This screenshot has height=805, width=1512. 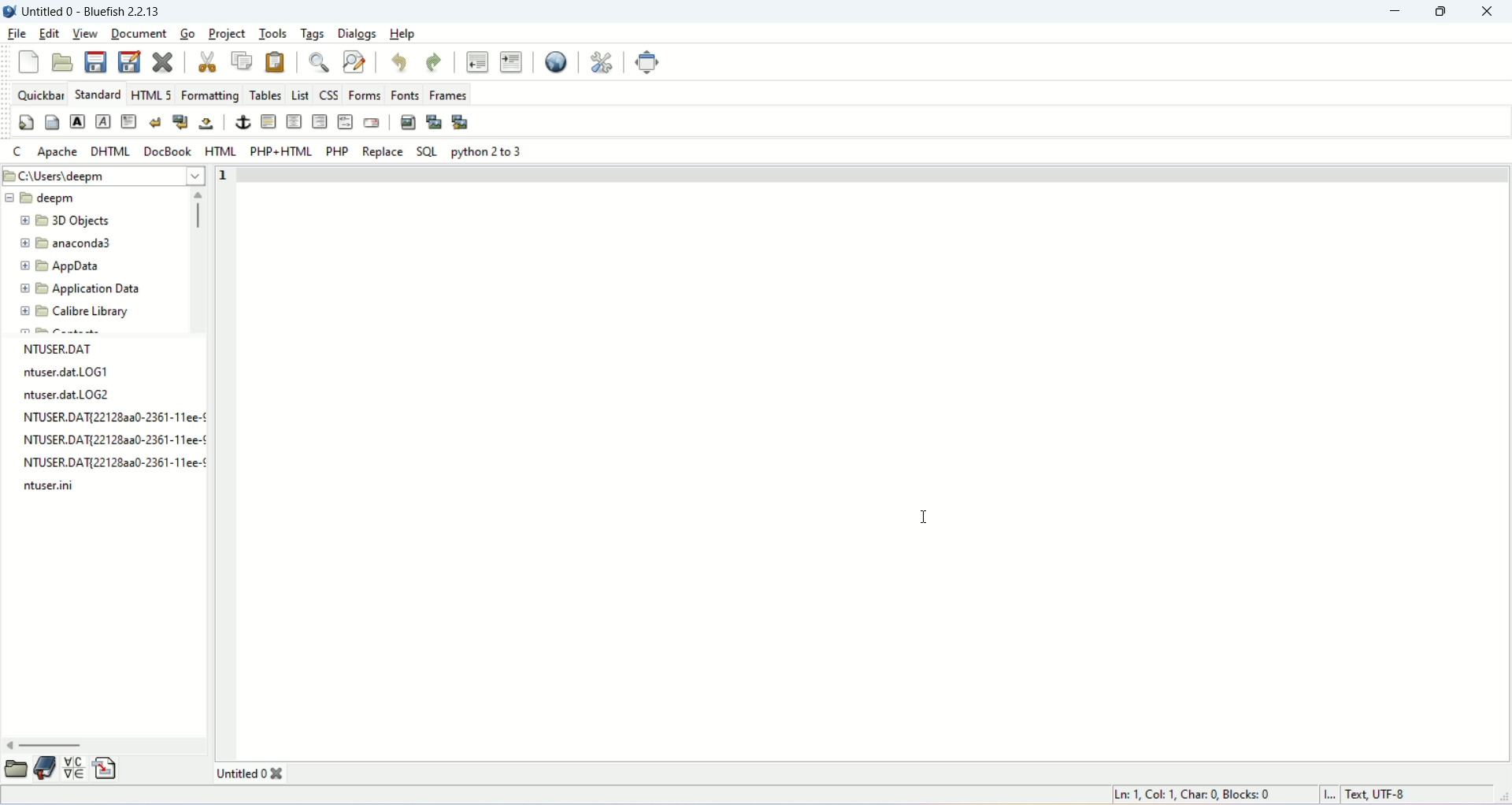 I want to click on DHTML, so click(x=108, y=148).